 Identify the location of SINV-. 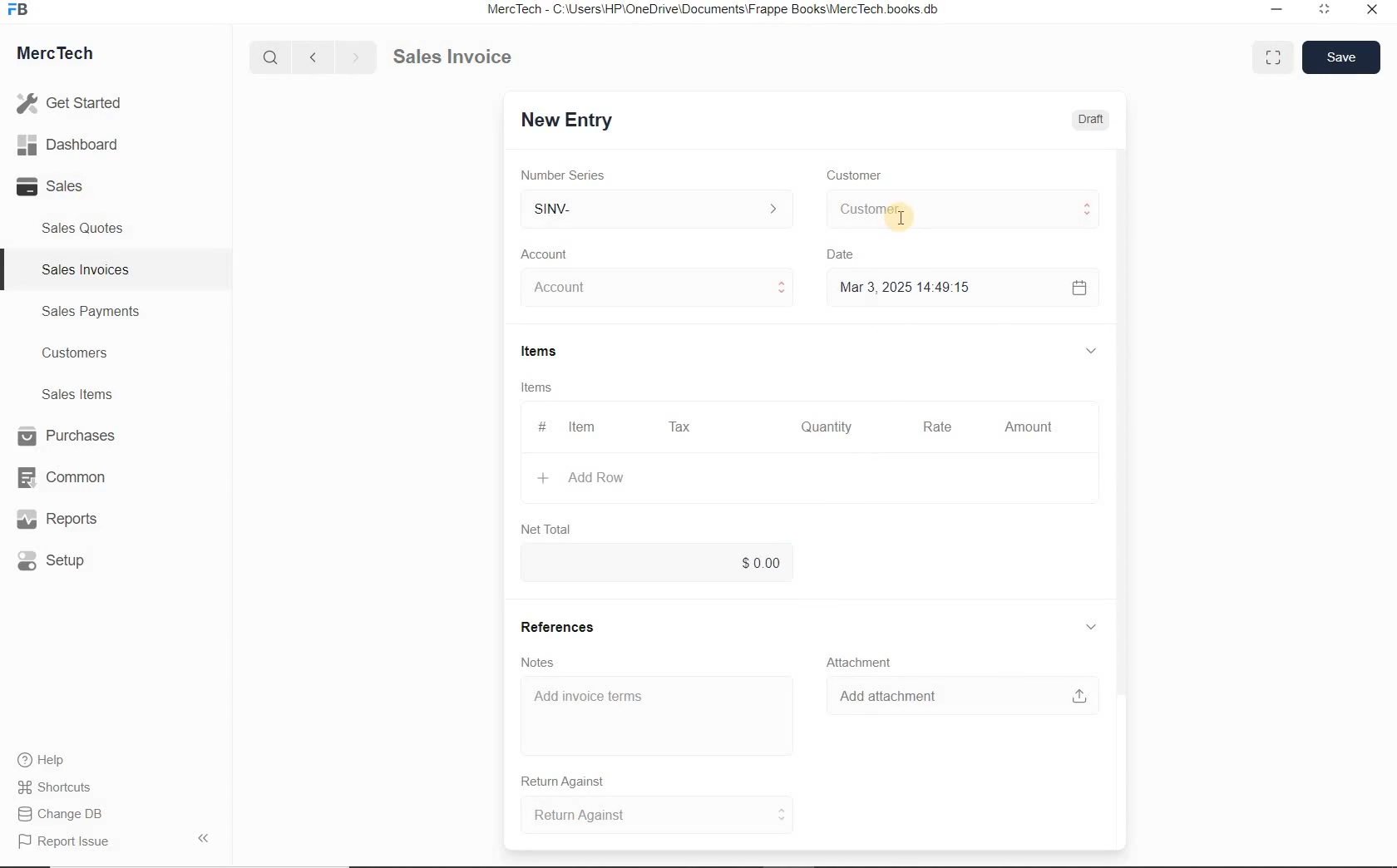
(655, 210).